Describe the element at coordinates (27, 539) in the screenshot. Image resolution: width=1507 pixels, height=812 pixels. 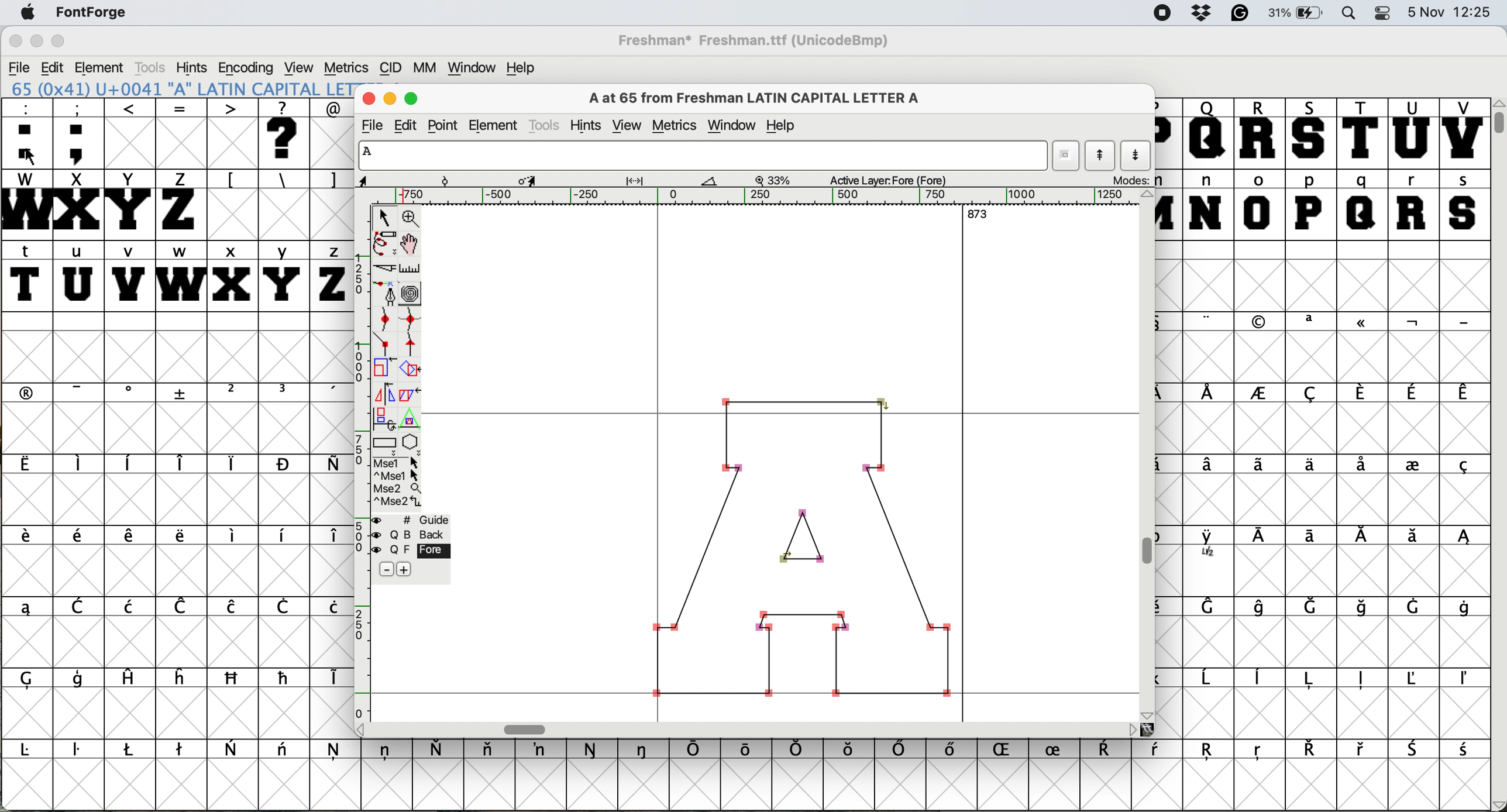
I see `symbol` at that location.